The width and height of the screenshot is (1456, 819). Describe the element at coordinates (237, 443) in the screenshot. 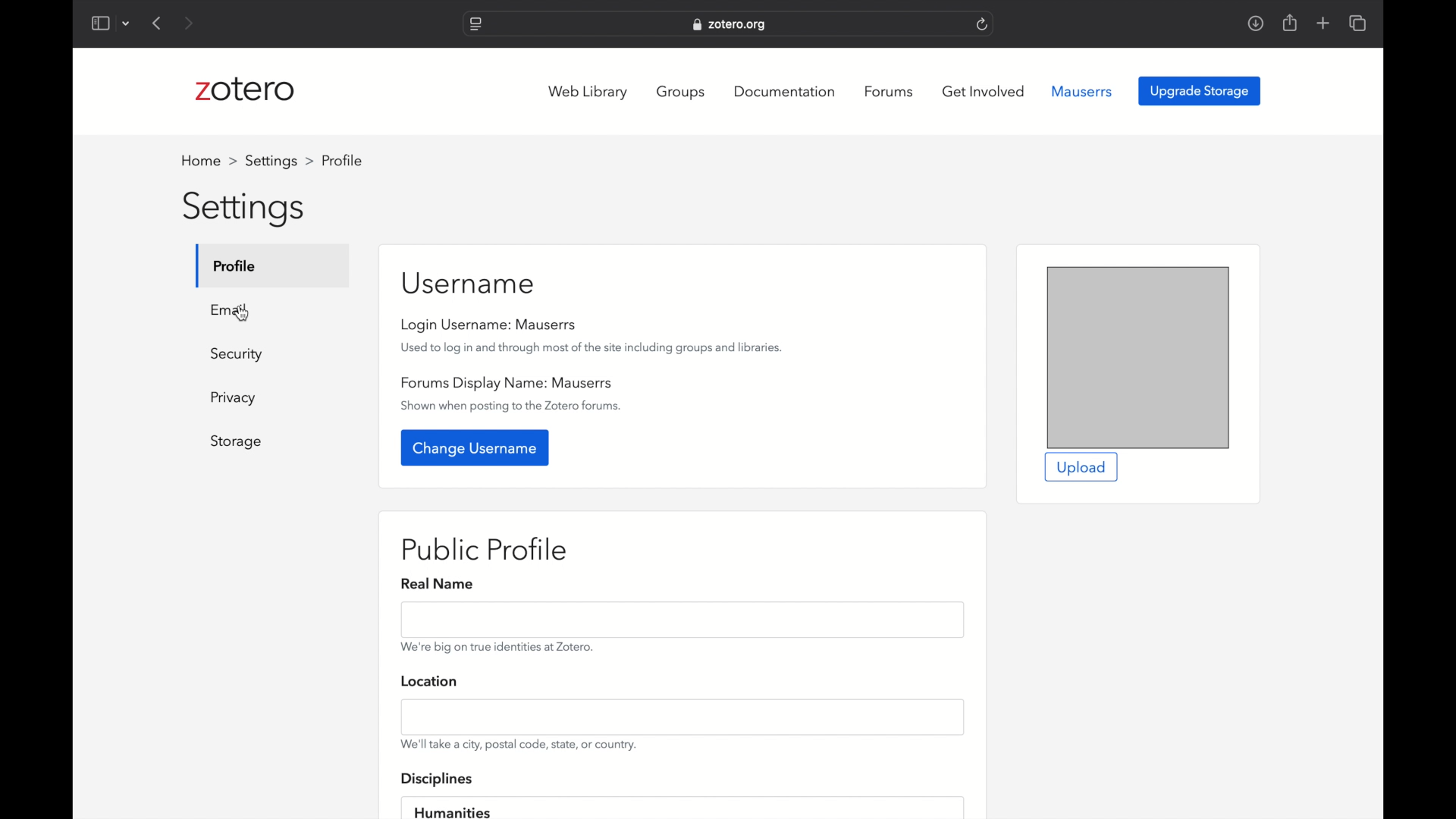

I see `storage` at that location.